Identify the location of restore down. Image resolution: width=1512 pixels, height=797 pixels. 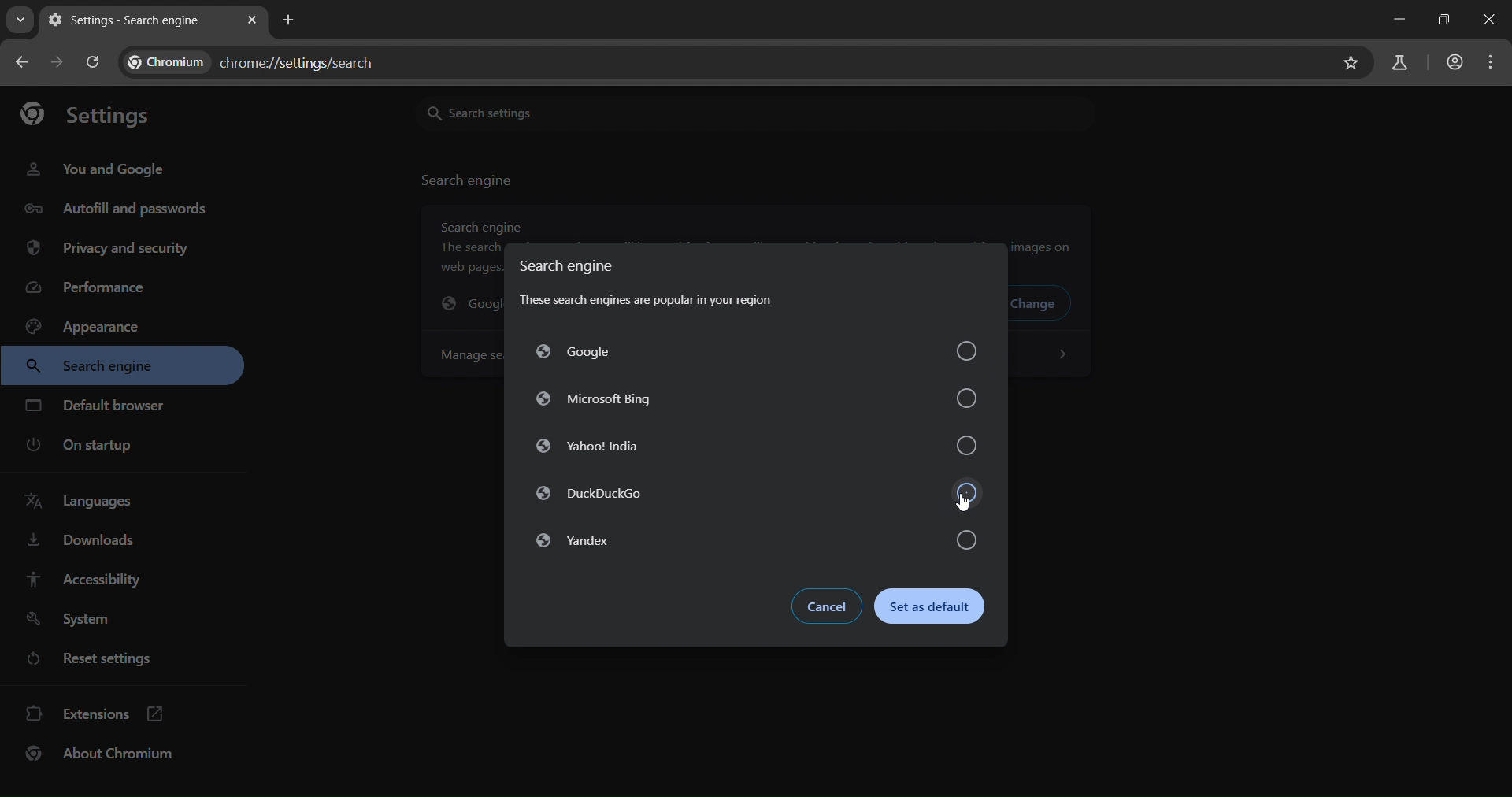
(1444, 21).